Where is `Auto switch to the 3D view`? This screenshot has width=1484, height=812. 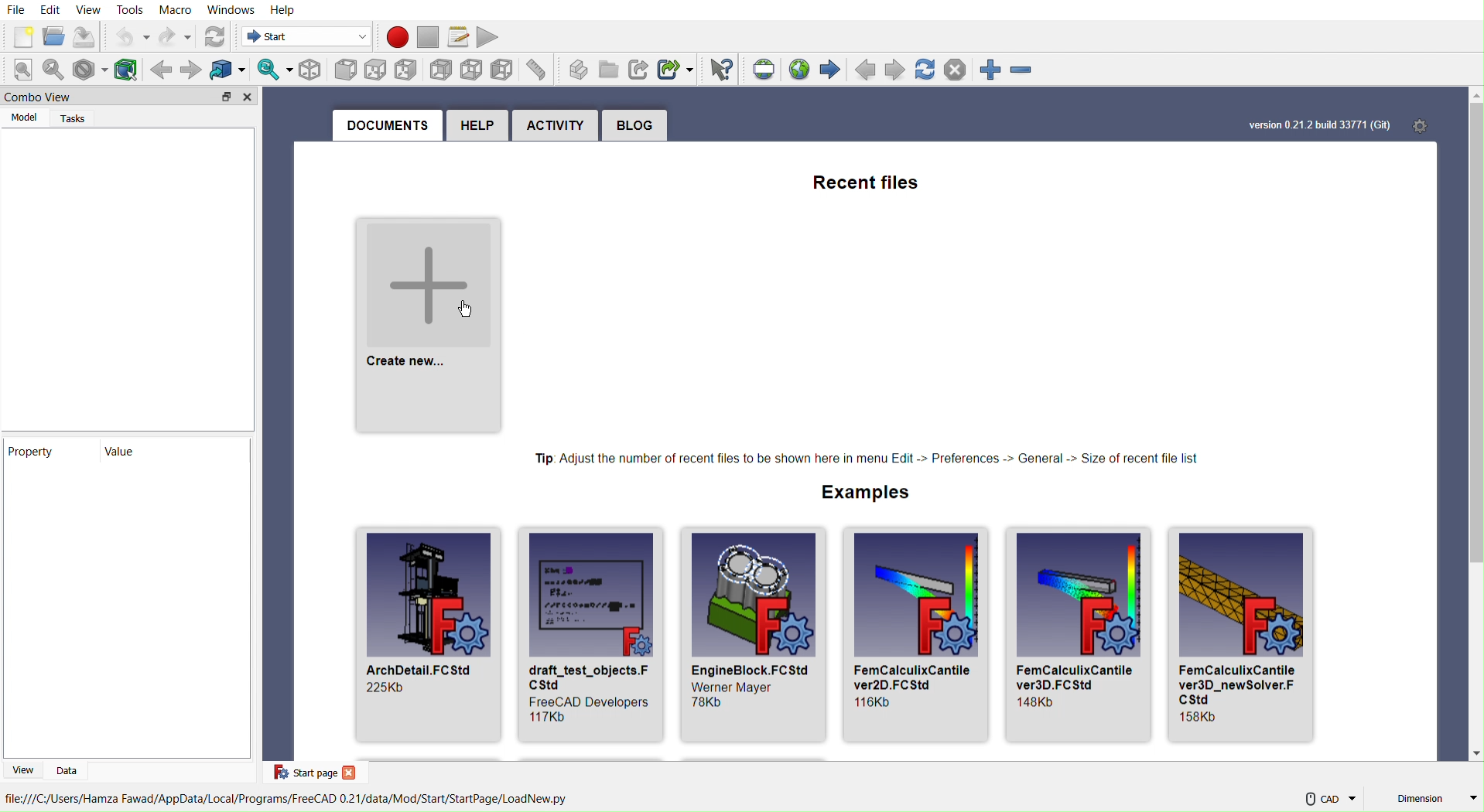 Auto switch to the 3D view is located at coordinates (272, 70).